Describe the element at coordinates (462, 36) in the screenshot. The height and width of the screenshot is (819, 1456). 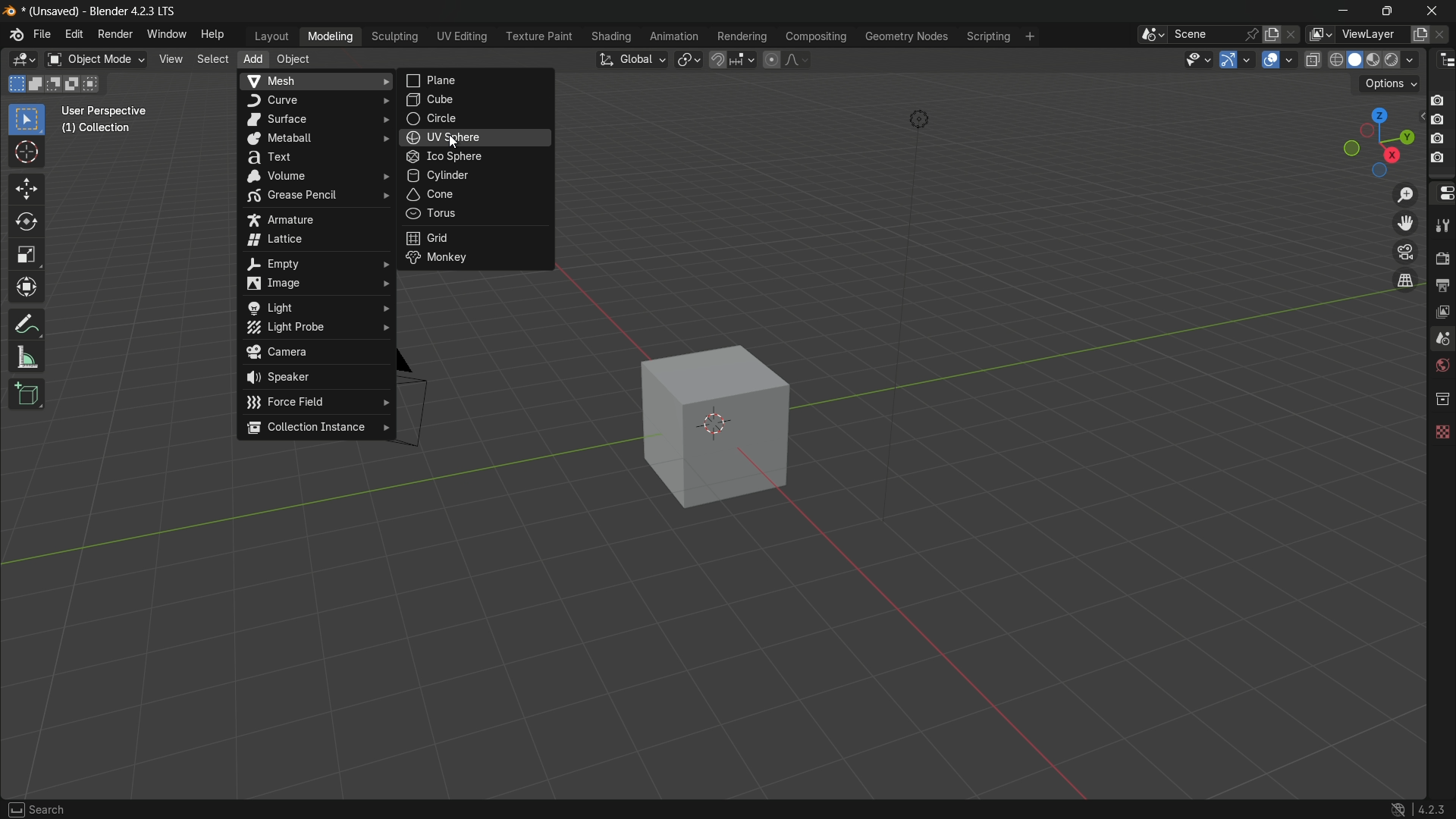
I see `uv editing menu` at that location.